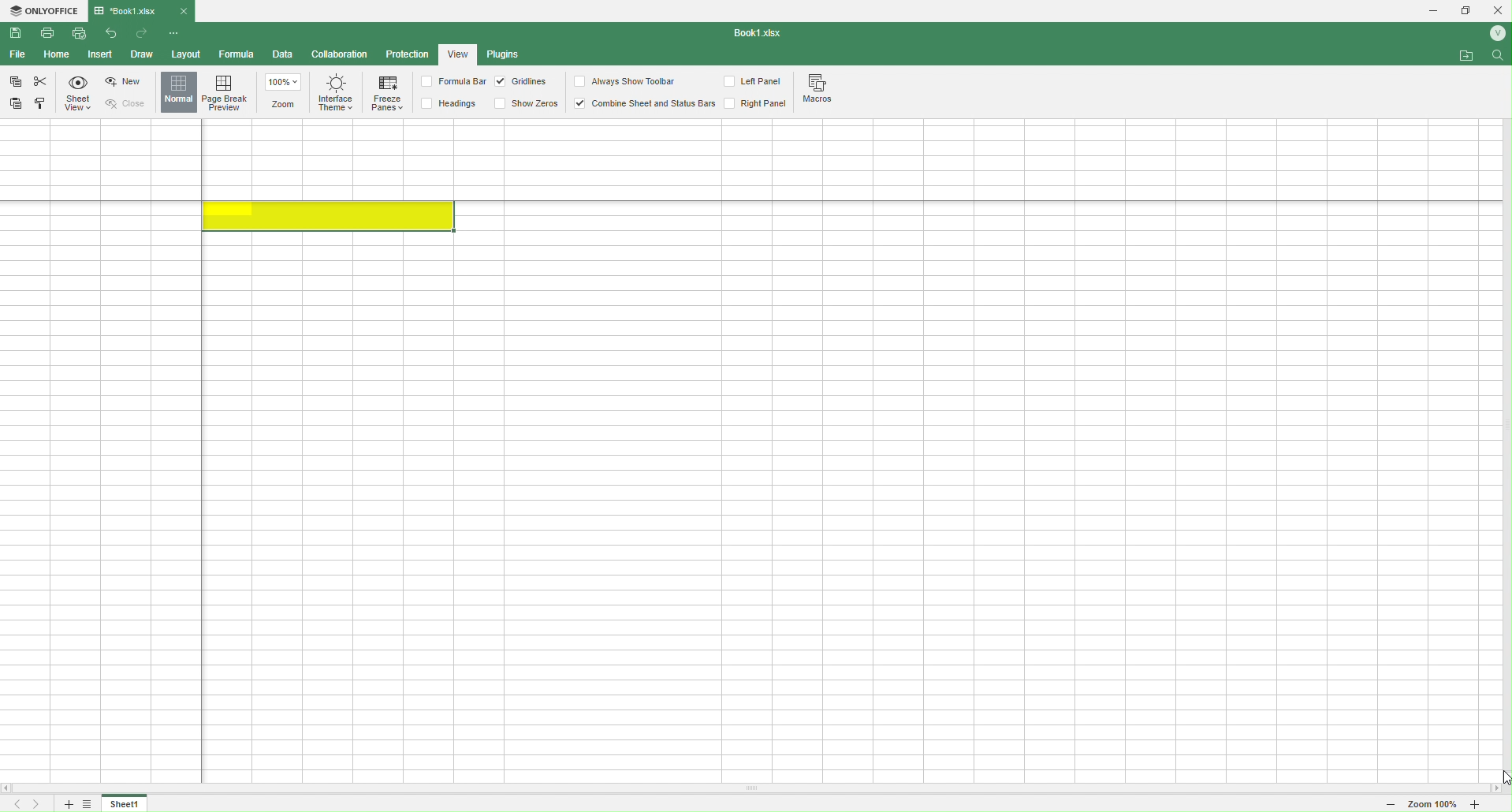 The image size is (1512, 812). What do you see at coordinates (132, 103) in the screenshot?
I see `Close` at bounding box center [132, 103].